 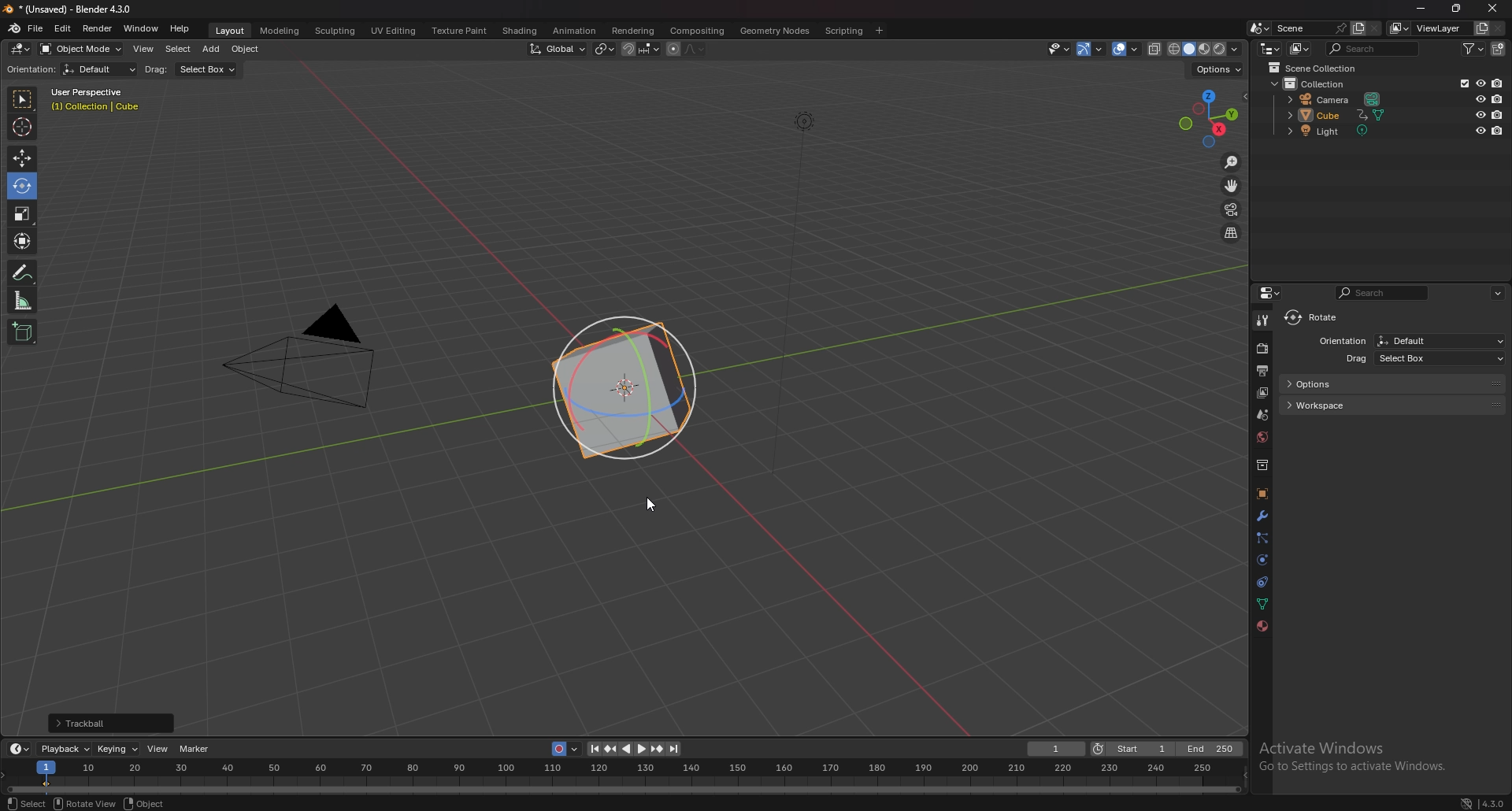 I want to click on proportional editing falloff, so click(x=694, y=49).